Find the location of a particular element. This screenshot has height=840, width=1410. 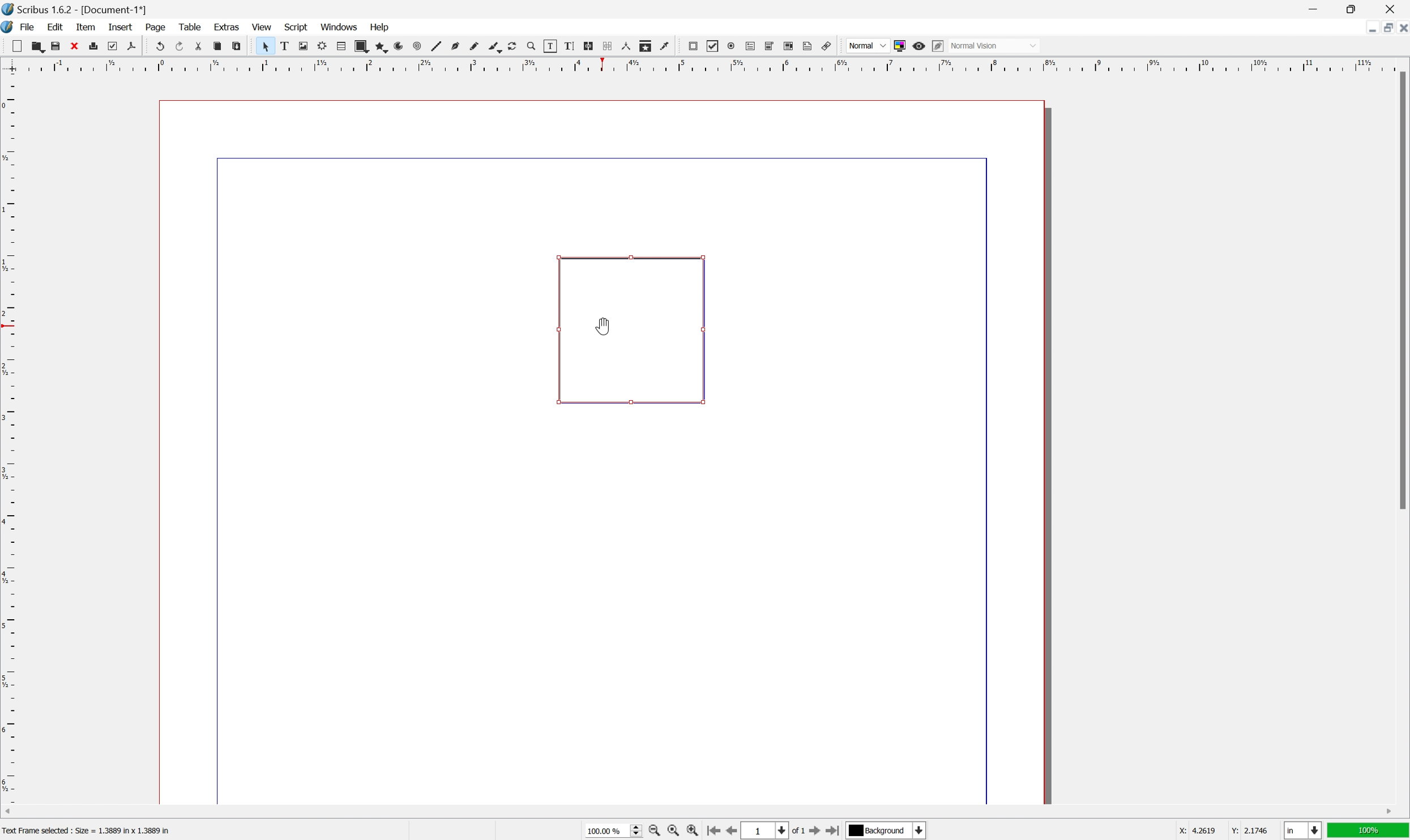

toggle color management system is located at coordinates (900, 46).